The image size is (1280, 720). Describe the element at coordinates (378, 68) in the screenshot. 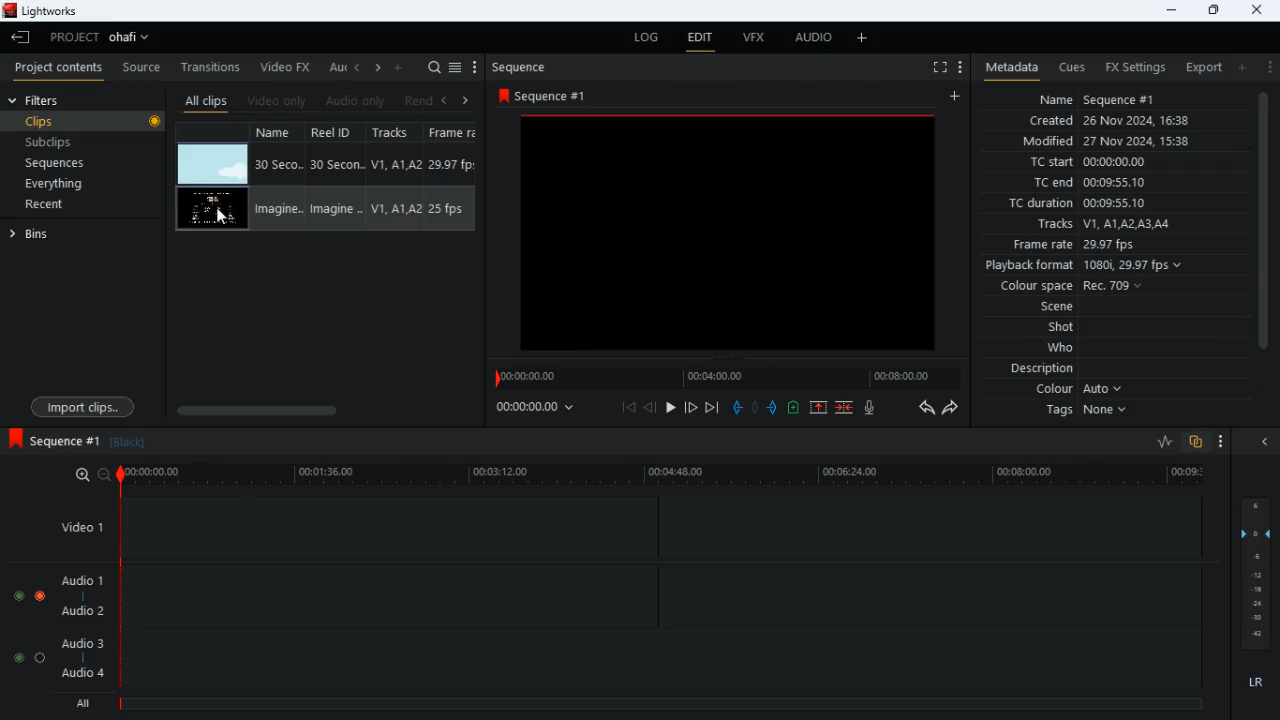

I see `right` at that location.